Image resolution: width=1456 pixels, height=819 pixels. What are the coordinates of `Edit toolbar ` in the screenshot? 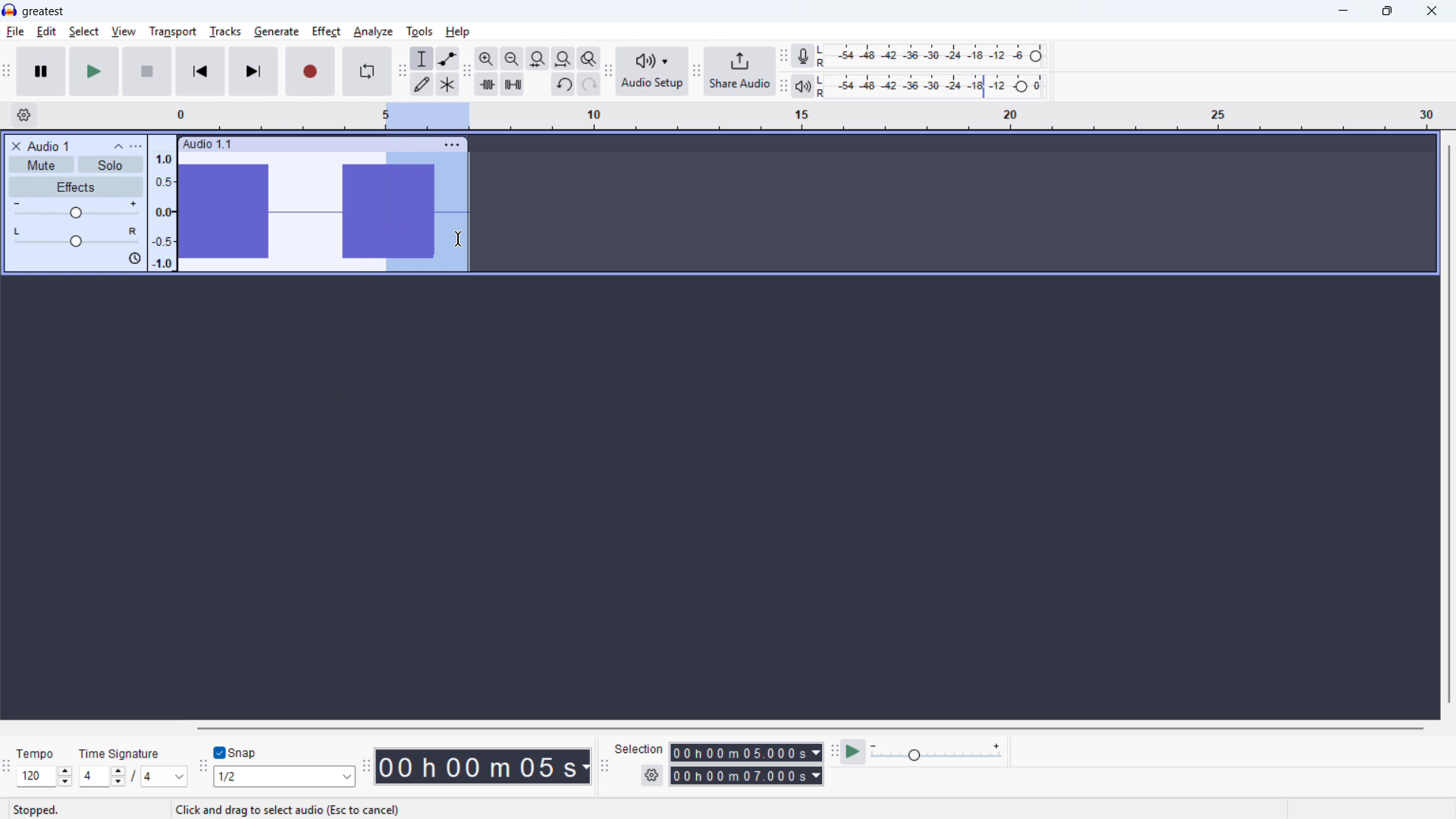 It's located at (466, 71).